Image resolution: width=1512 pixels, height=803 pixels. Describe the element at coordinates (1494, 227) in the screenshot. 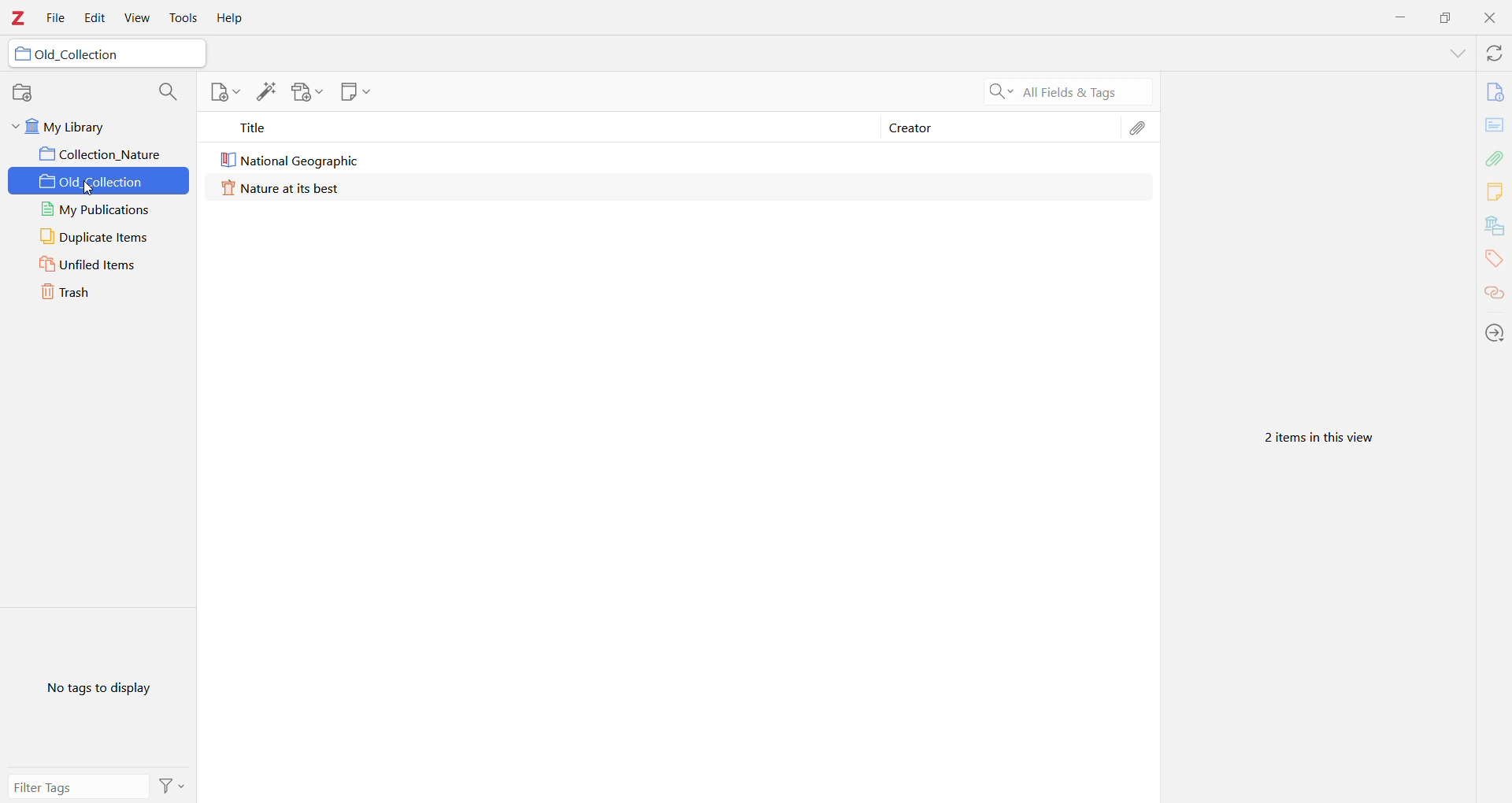

I see `Libraries and Collections` at that location.